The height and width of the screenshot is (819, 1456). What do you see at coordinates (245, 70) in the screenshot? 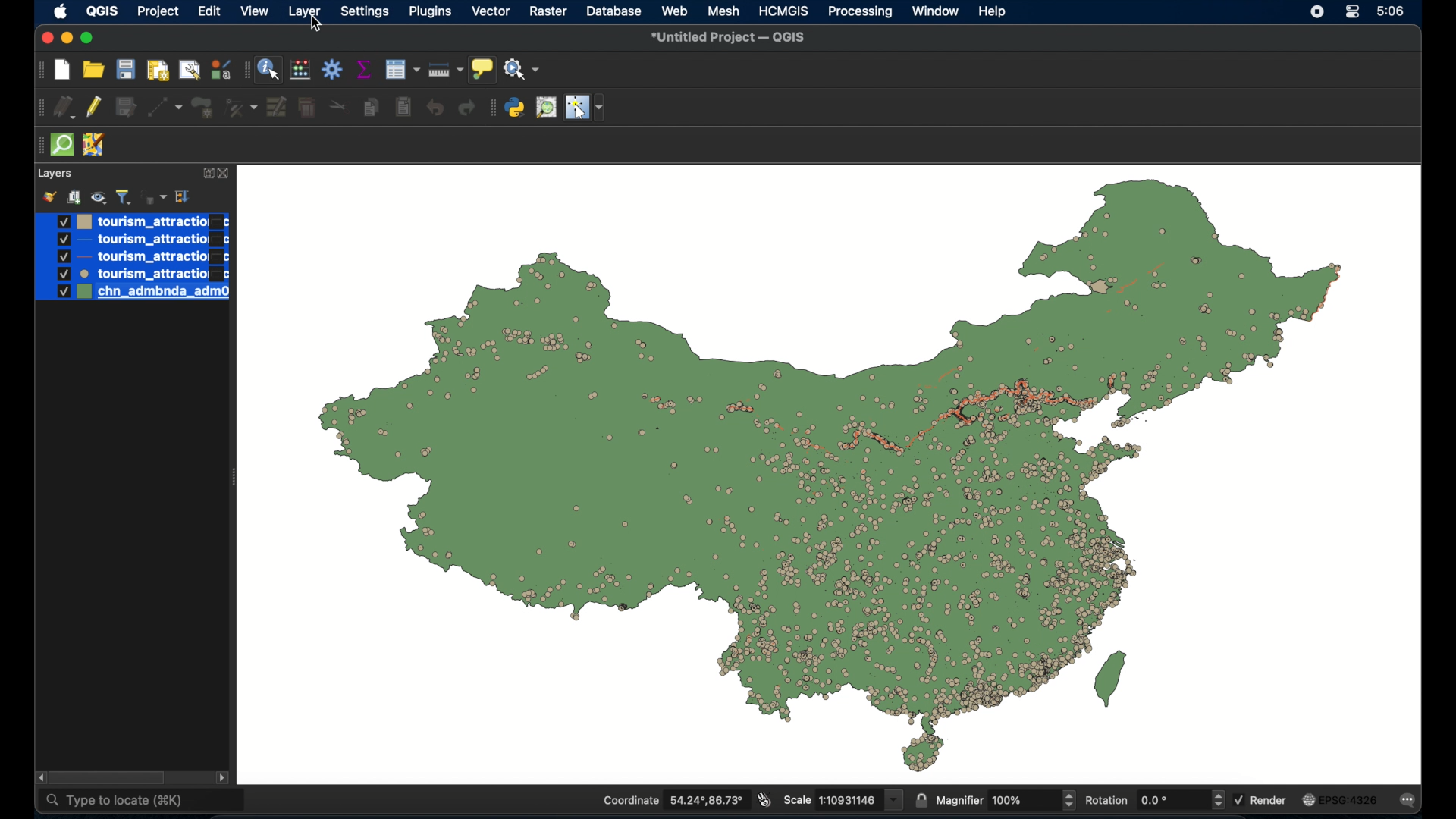
I see `drag handle` at bounding box center [245, 70].